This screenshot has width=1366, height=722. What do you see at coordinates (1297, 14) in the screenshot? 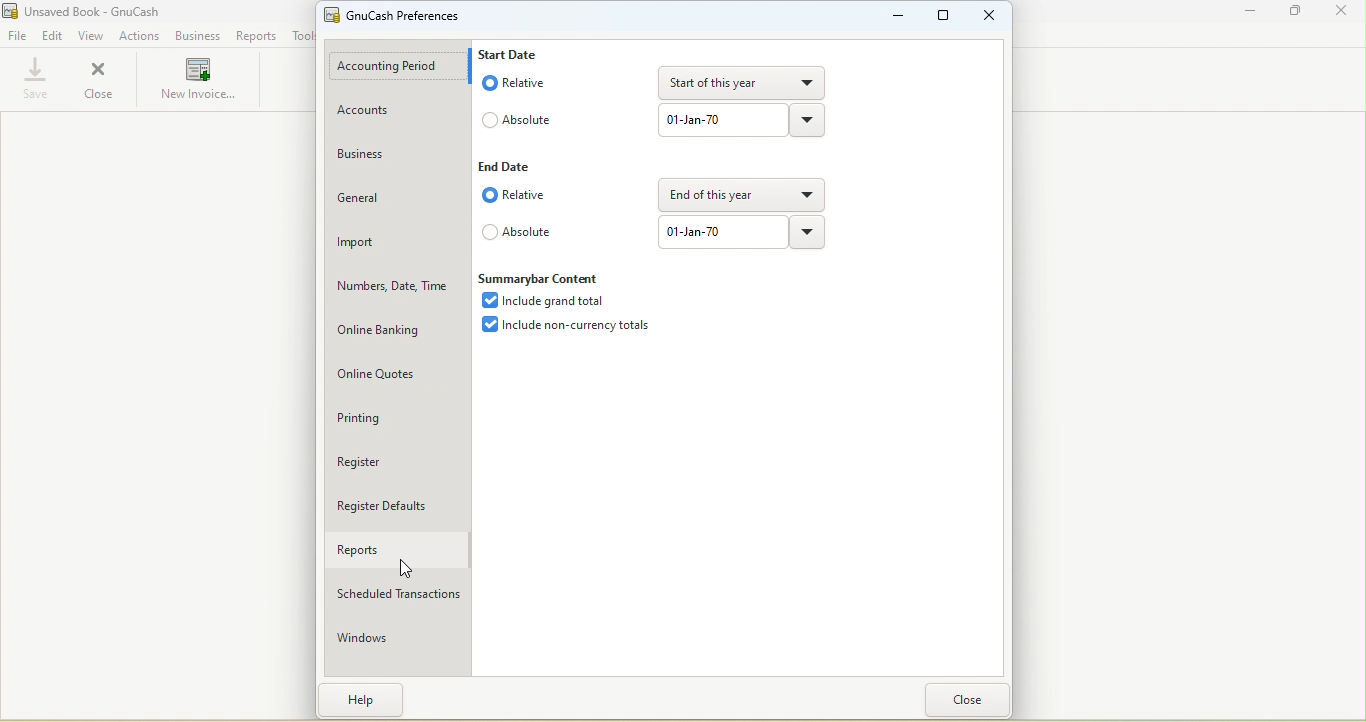
I see `Maximize` at bounding box center [1297, 14].